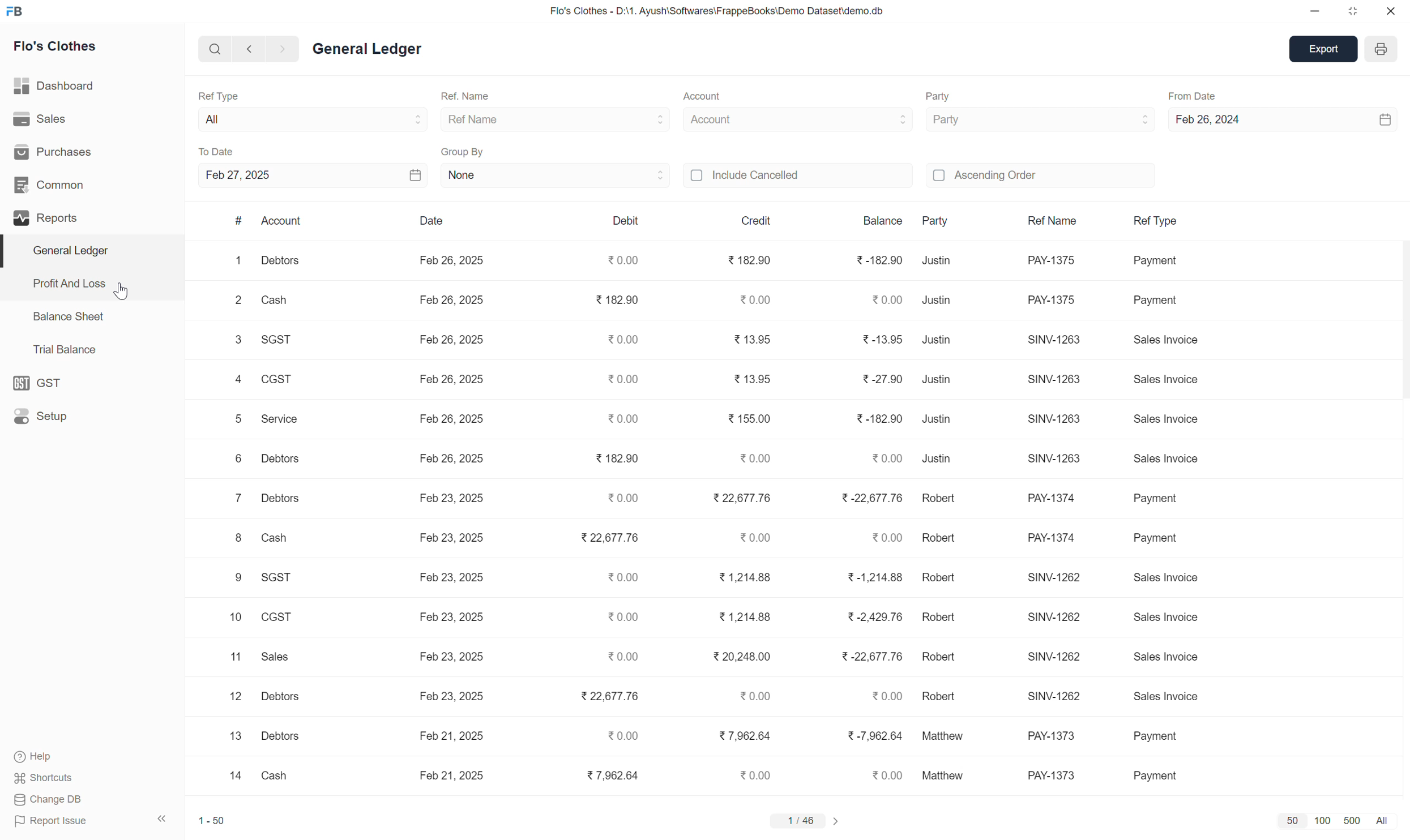 The height and width of the screenshot is (840, 1410). Describe the element at coordinates (231, 780) in the screenshot. I see `14` at that location.